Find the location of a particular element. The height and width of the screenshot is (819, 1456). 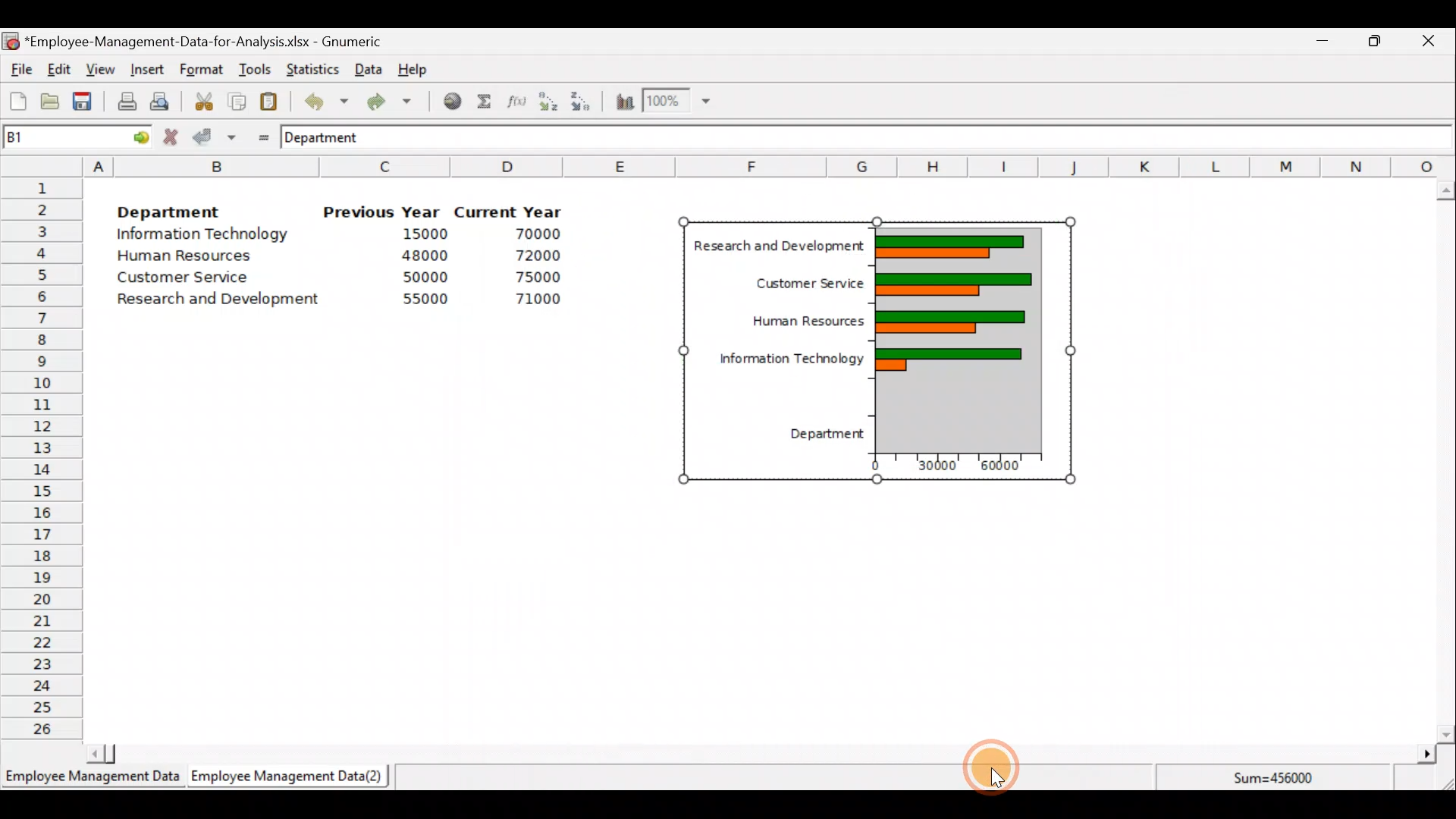

Previous Year is located at coordinates (382, 212).